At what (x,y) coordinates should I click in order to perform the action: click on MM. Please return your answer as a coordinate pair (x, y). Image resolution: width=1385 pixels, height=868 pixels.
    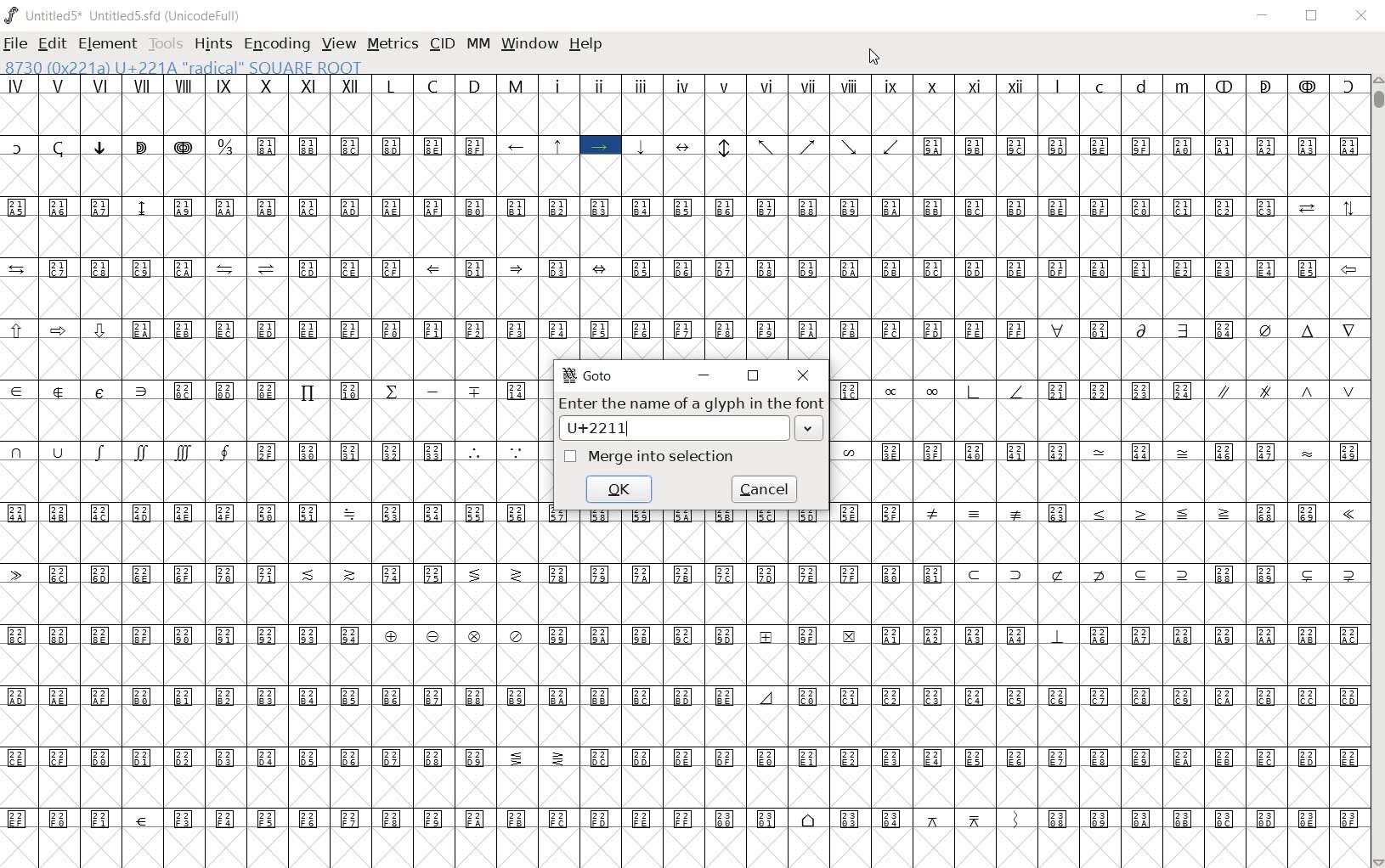
    Looking at the image, I should click on (477, 43).